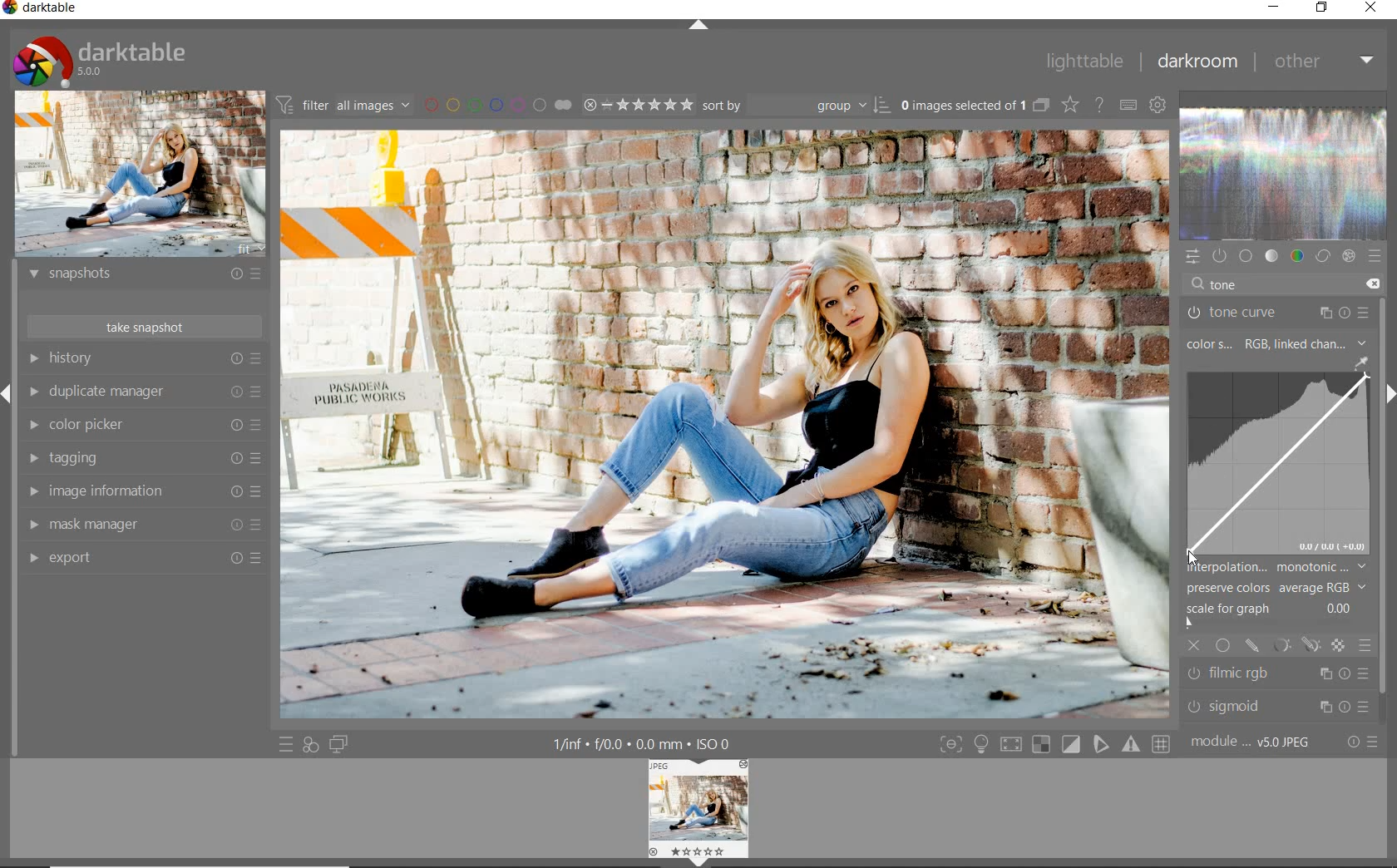 Image resolution: width=1397 pixels, height=868 pixels. Describe the element at coordinates (1196, 645) in the screenshot. I see `off` at that location.